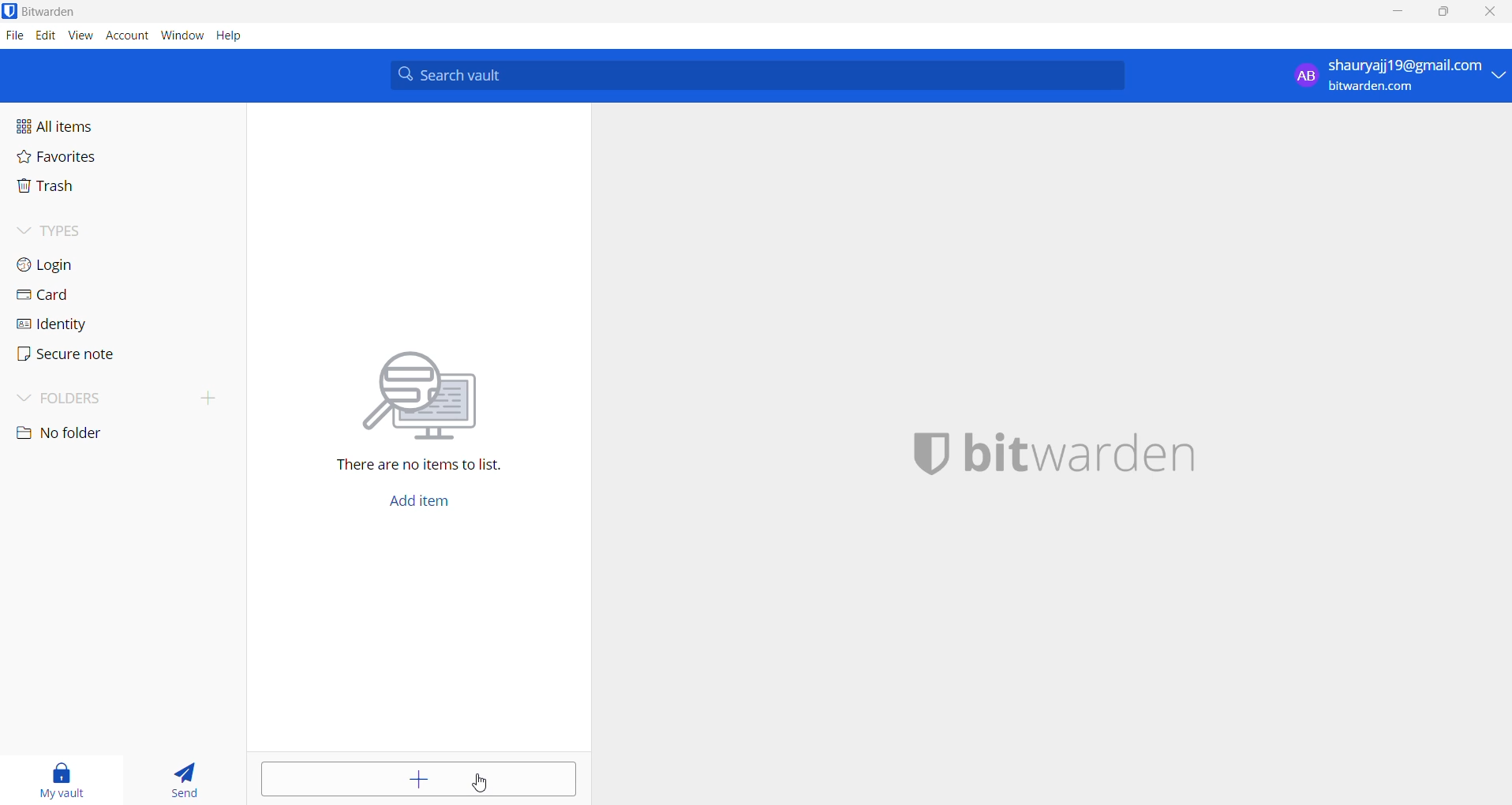  What do you see at coordinates (88, 127) in the screenshot?
I see `all items` at bounding box center [88, 127].